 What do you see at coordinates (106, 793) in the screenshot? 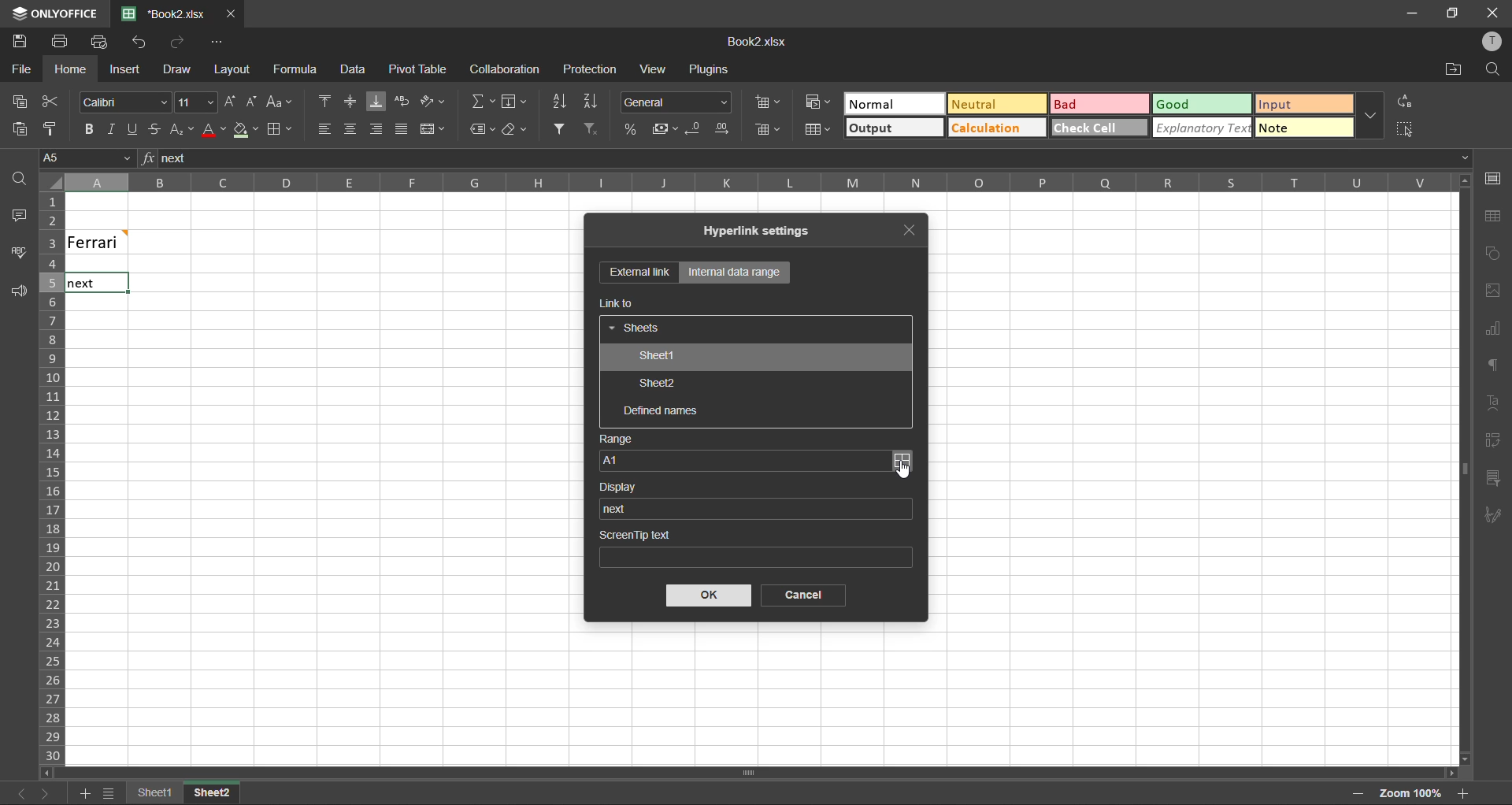
I see `sheet list` at bounding box center [106, 793].